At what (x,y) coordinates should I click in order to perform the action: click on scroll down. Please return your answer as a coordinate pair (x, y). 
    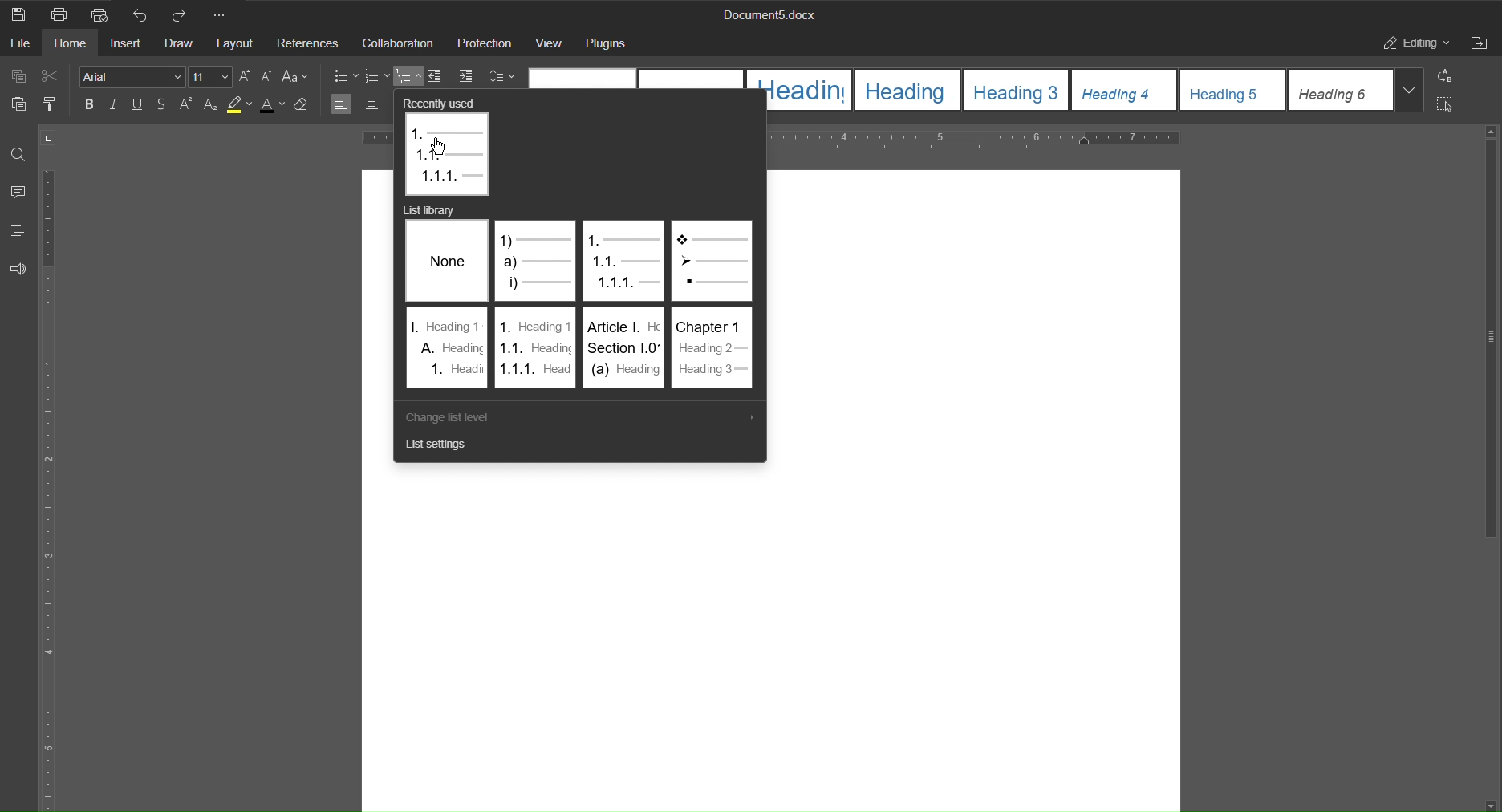
    Looking at the image, I should click on (1489, 805).